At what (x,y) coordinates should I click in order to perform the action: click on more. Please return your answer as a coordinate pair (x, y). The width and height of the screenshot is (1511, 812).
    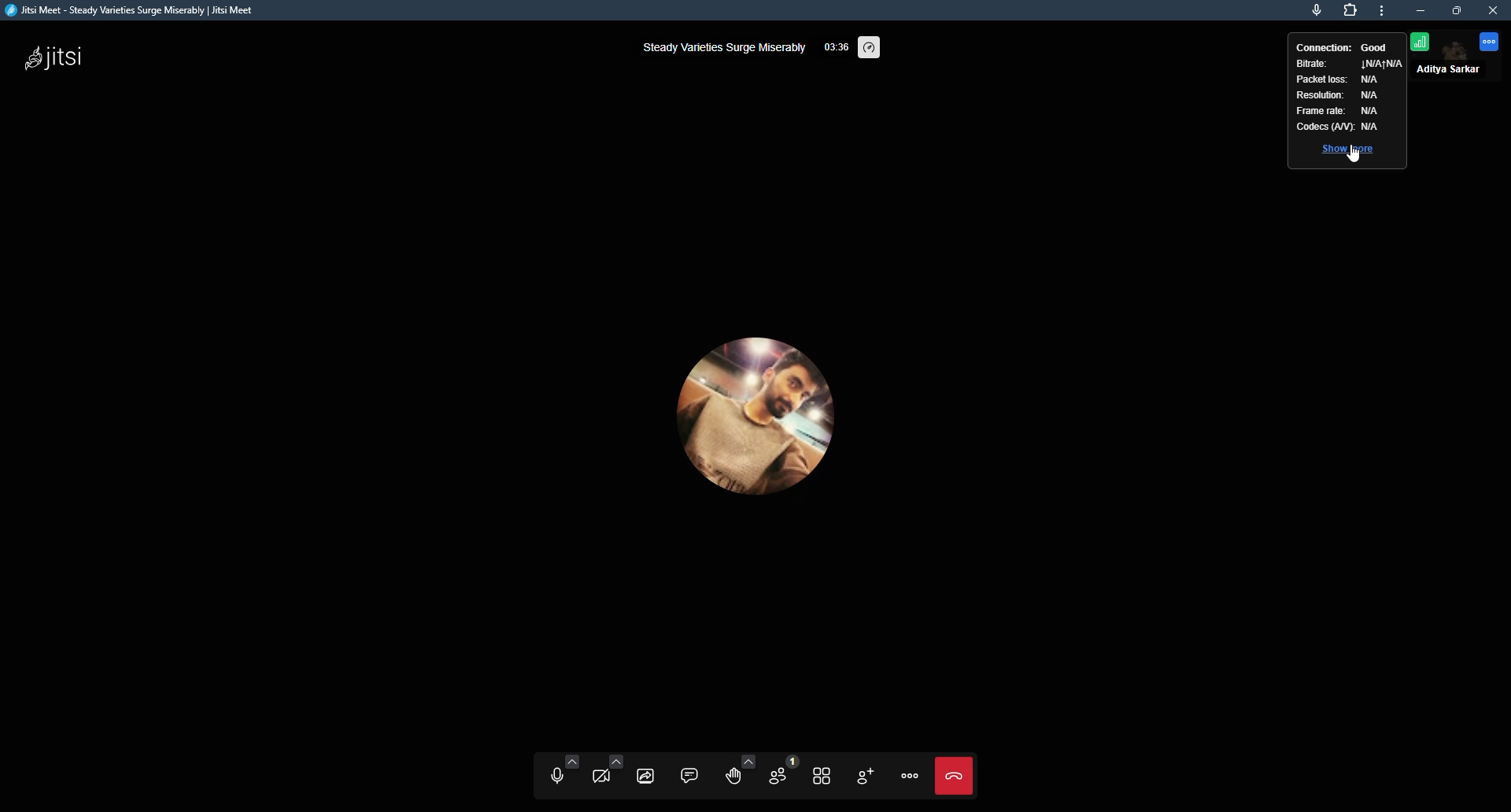
    Looking at the image, I should click on (1384, 10).